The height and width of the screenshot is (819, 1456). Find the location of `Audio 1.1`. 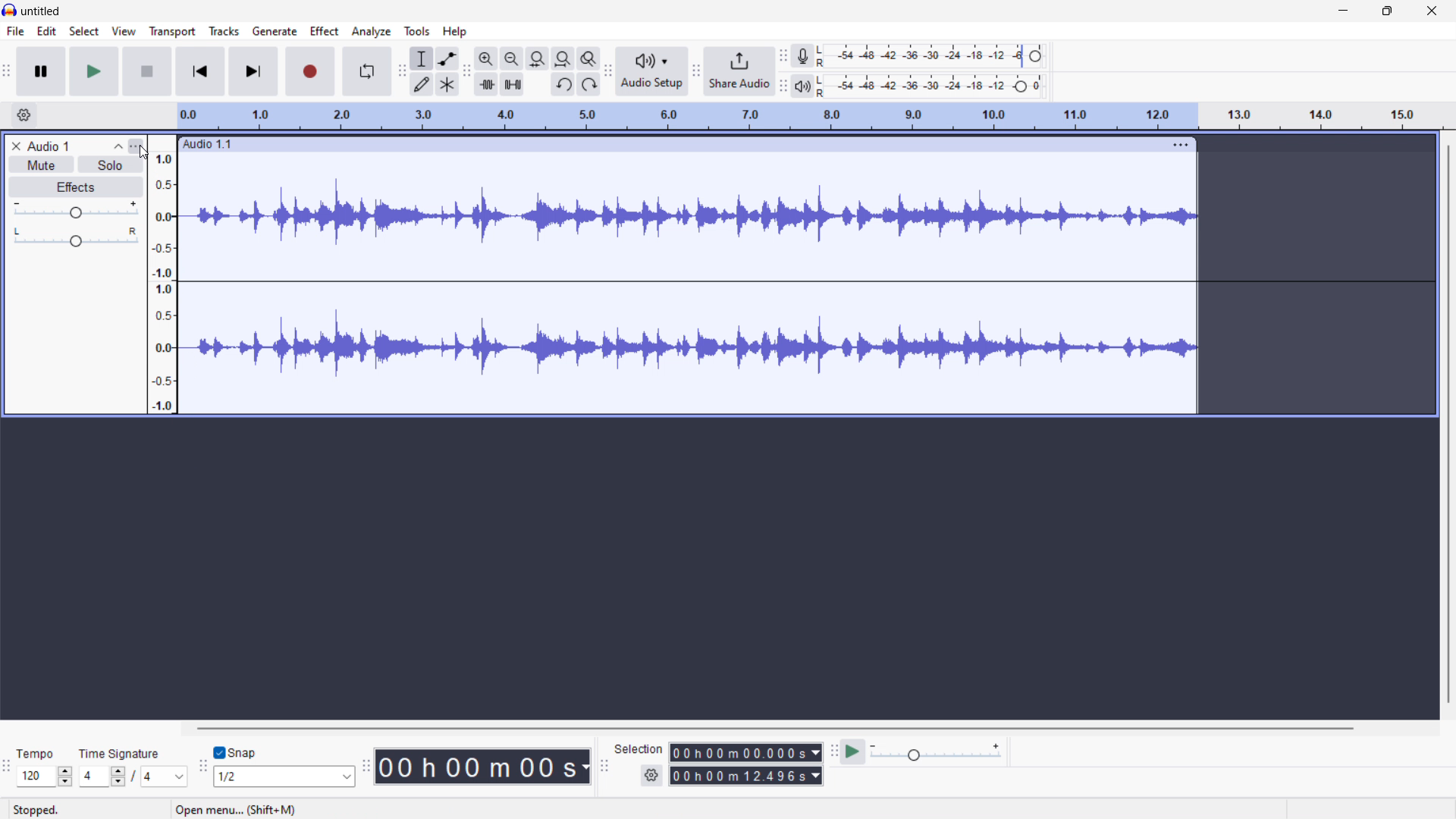

Audio 1.1 is located at coordinates (663, 145).